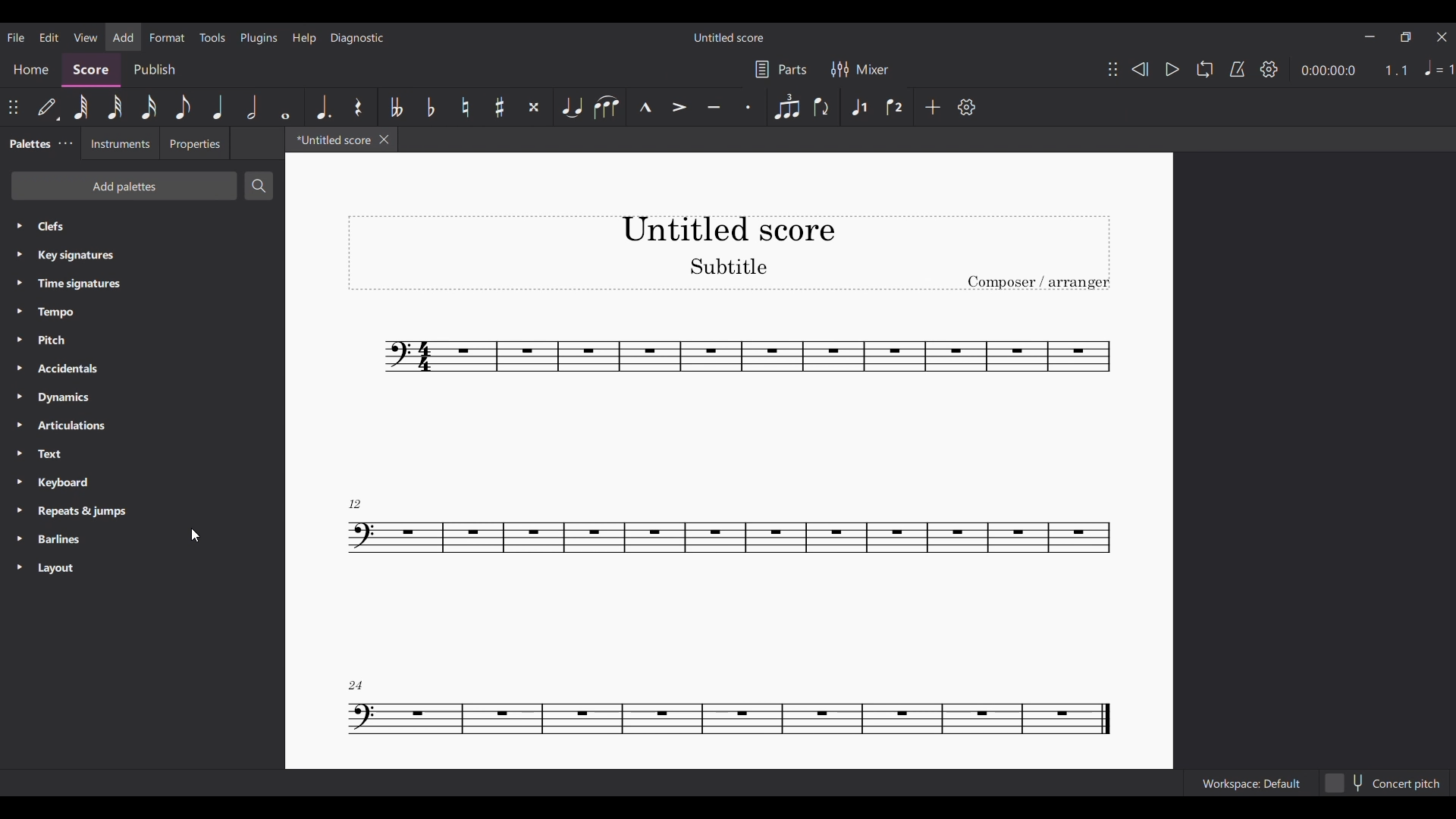  What do you see at coordinates (861, 69) in the screenshot?
I see `Mixer` at bounding box center [861, 69].